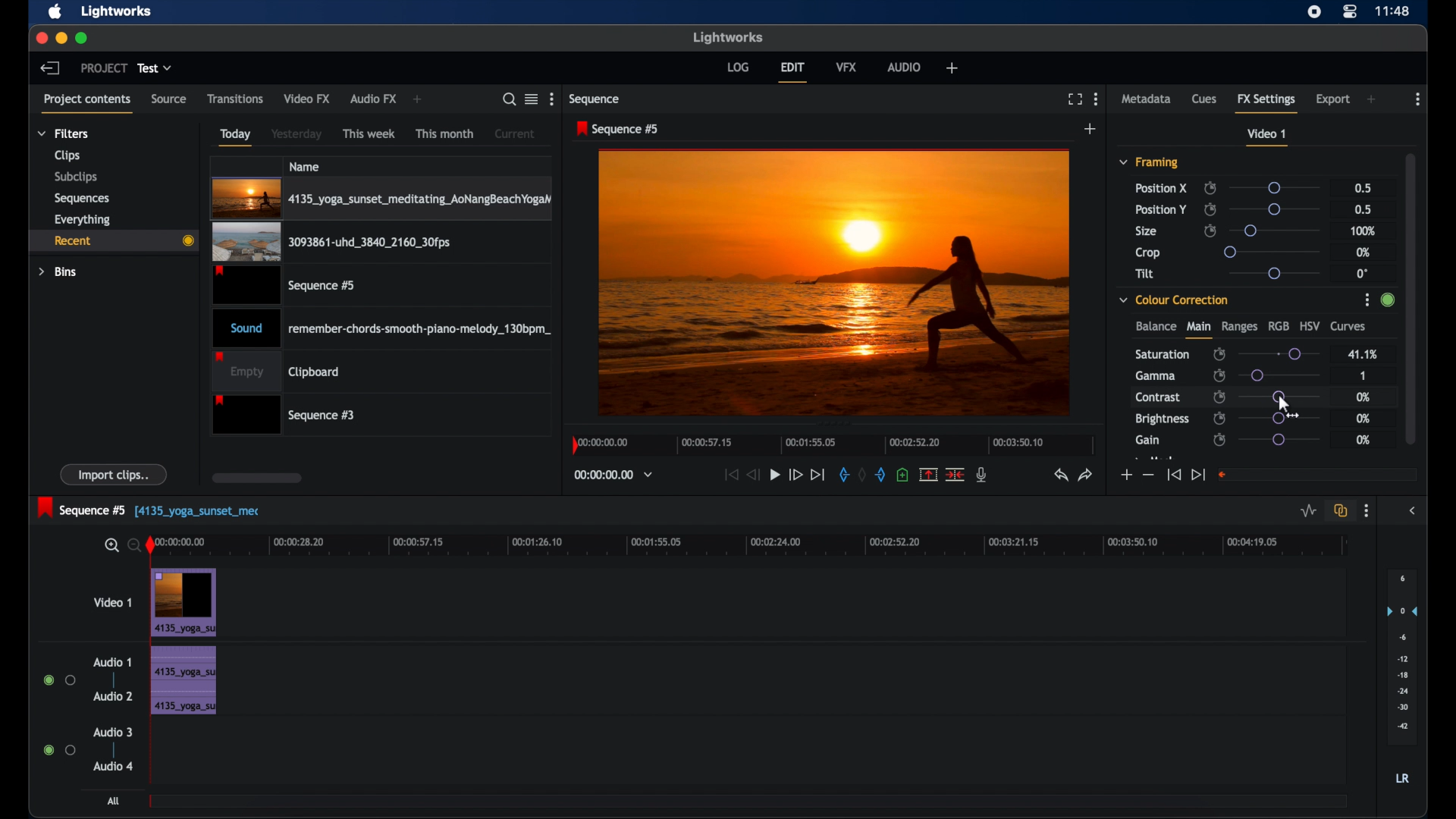 The height and width of the screenshot is (819, 1456). I want to click on sequence 3, so click(284, 414).